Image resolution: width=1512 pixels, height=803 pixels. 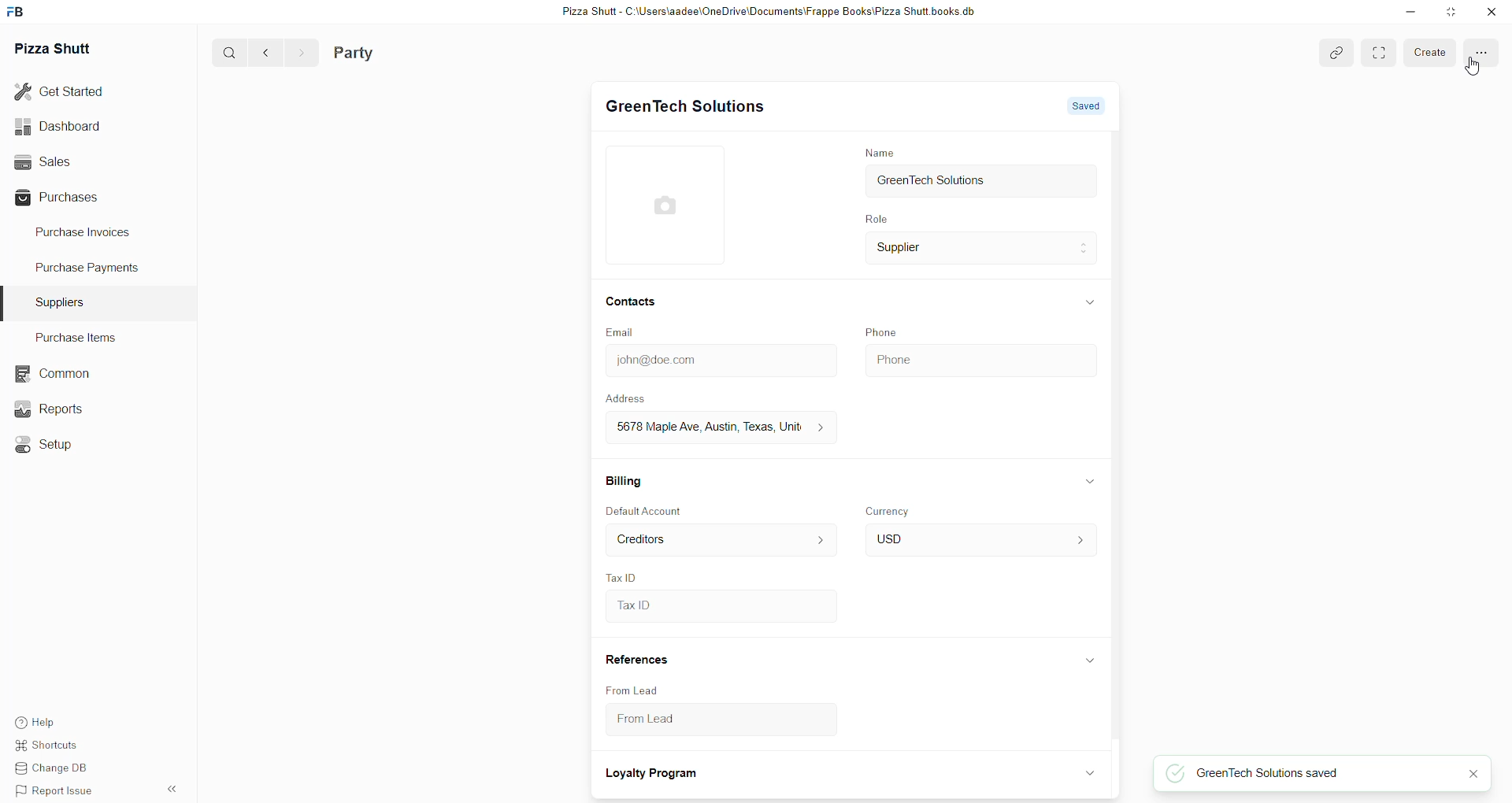 What do you see at coordinates (76, 197) in the screenshot?
I see `Purchases` at bounding box center [76, 197].